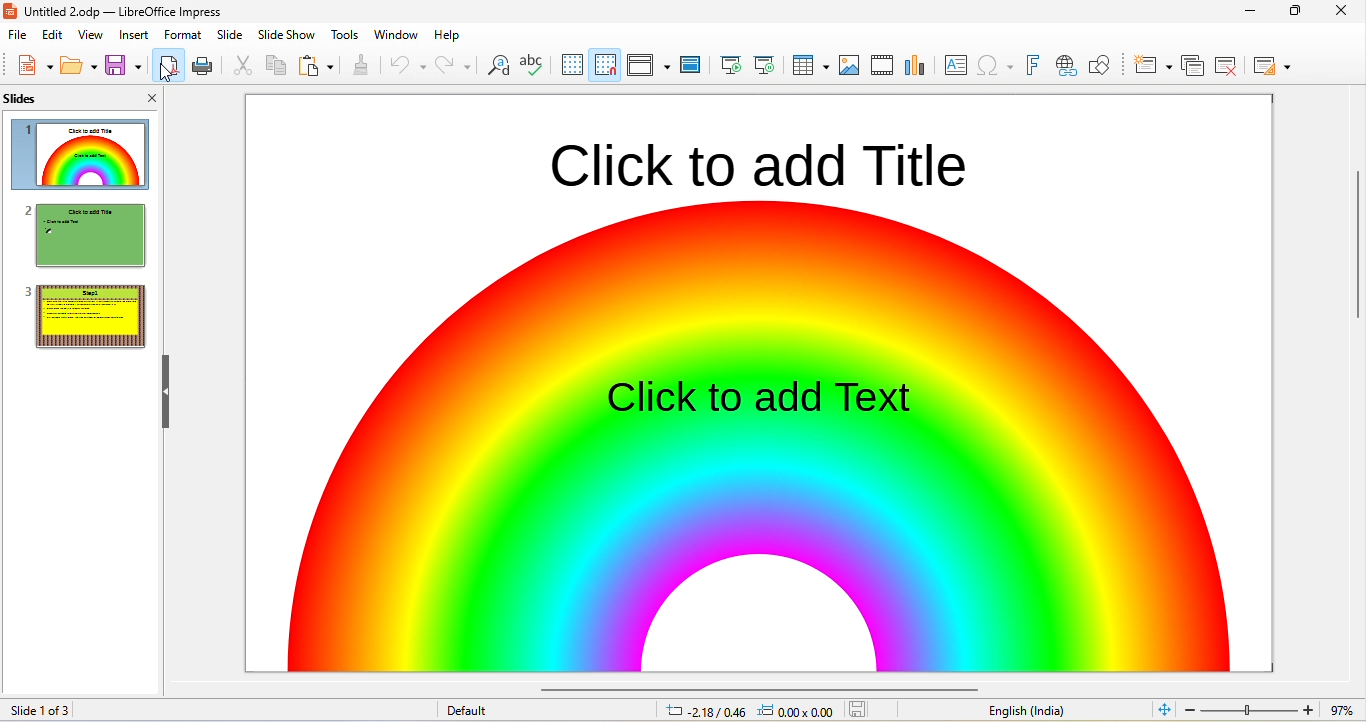 The width and height of the screenshot is (1366, 722). I want to click on slide, so click(229, 35).